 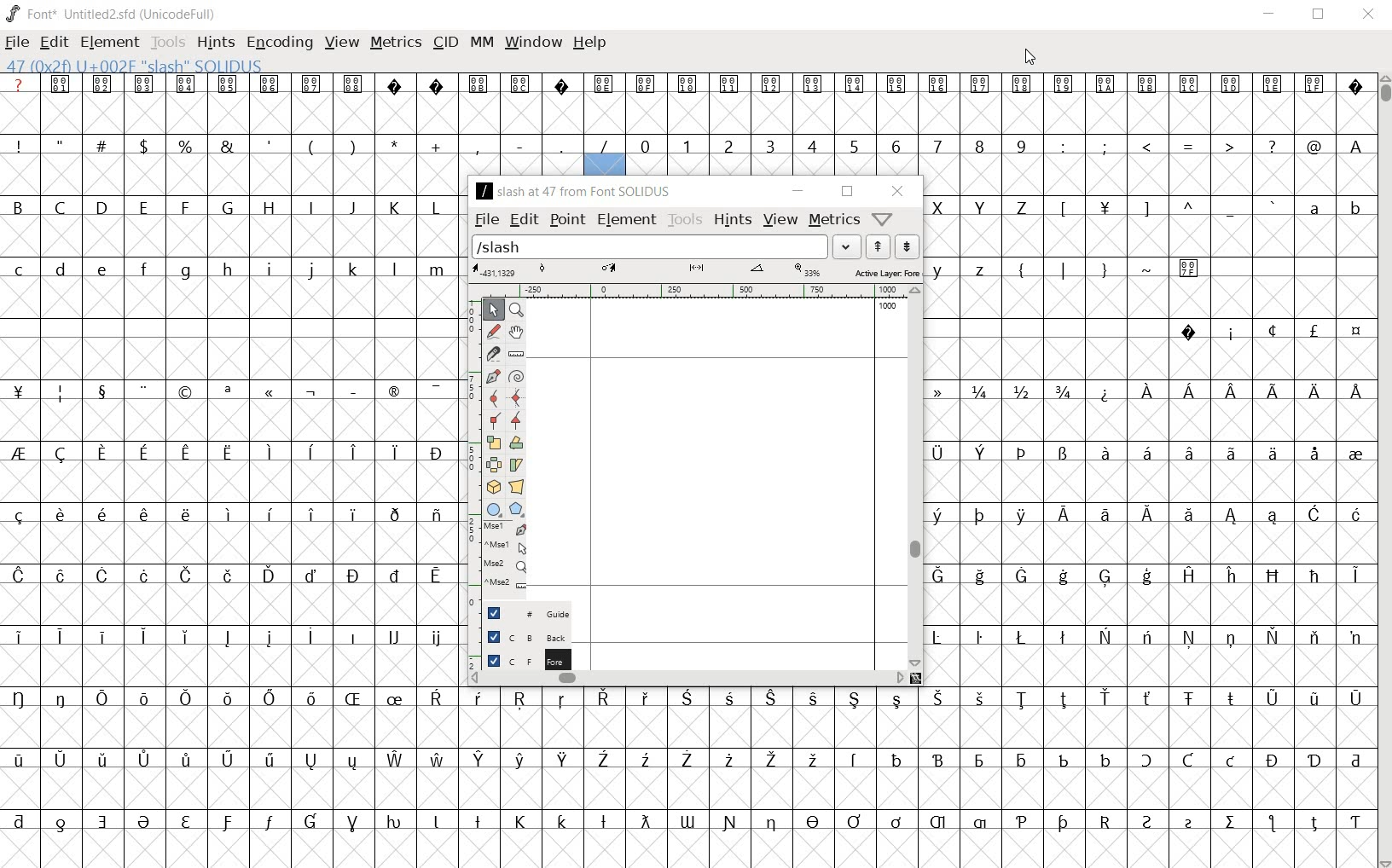 What do you see at coordinates (573, 191) in the screenshot?
I see `/slash at 47 from font SOLIDUS` at bounding box center [573, 191].